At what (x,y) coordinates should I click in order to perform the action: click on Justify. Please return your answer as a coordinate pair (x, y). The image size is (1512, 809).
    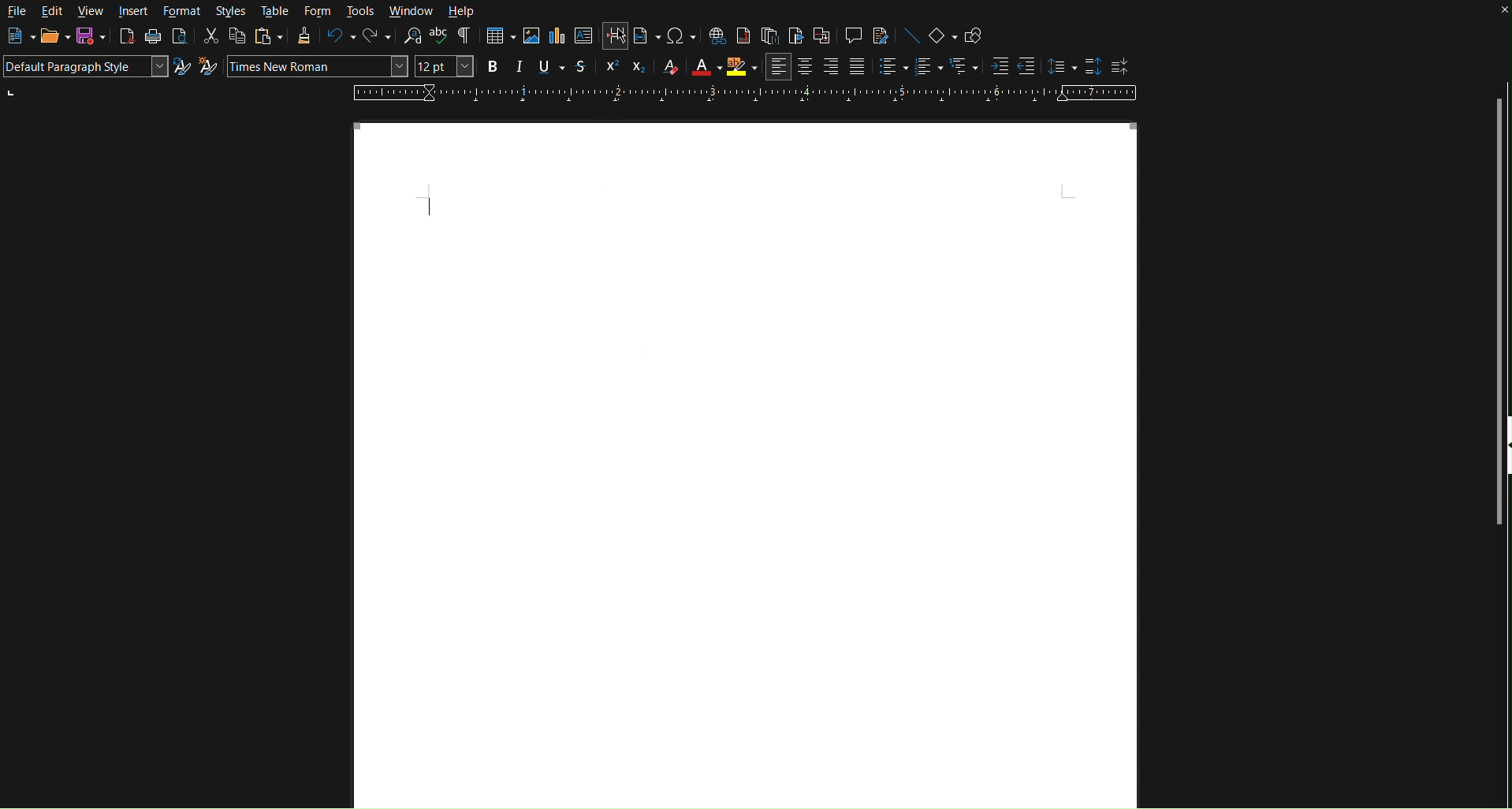
    Looking at the image, I should click on (857, 66).